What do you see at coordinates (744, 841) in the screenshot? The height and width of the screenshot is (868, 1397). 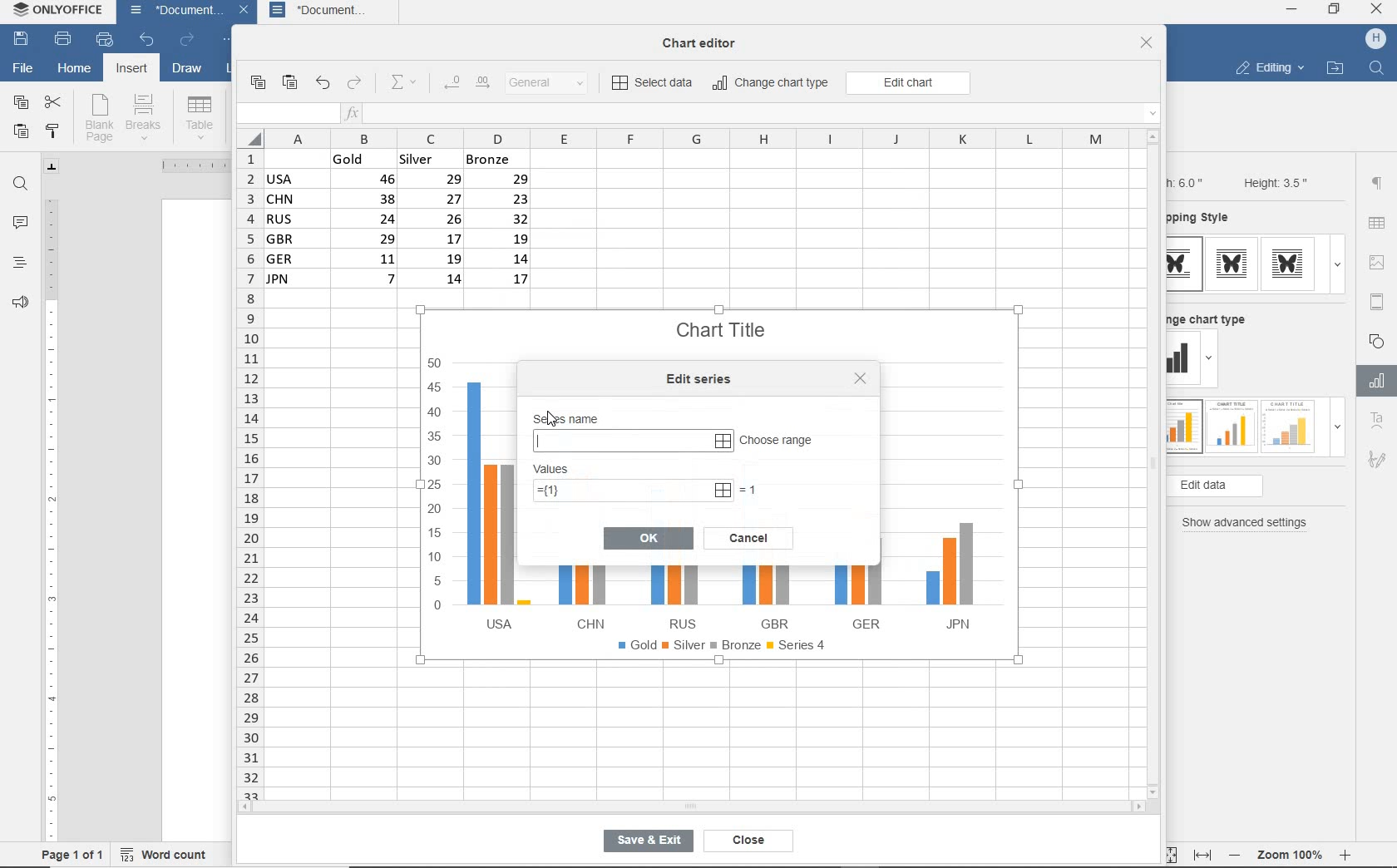 I see `close` at bounding box center [744, 841].